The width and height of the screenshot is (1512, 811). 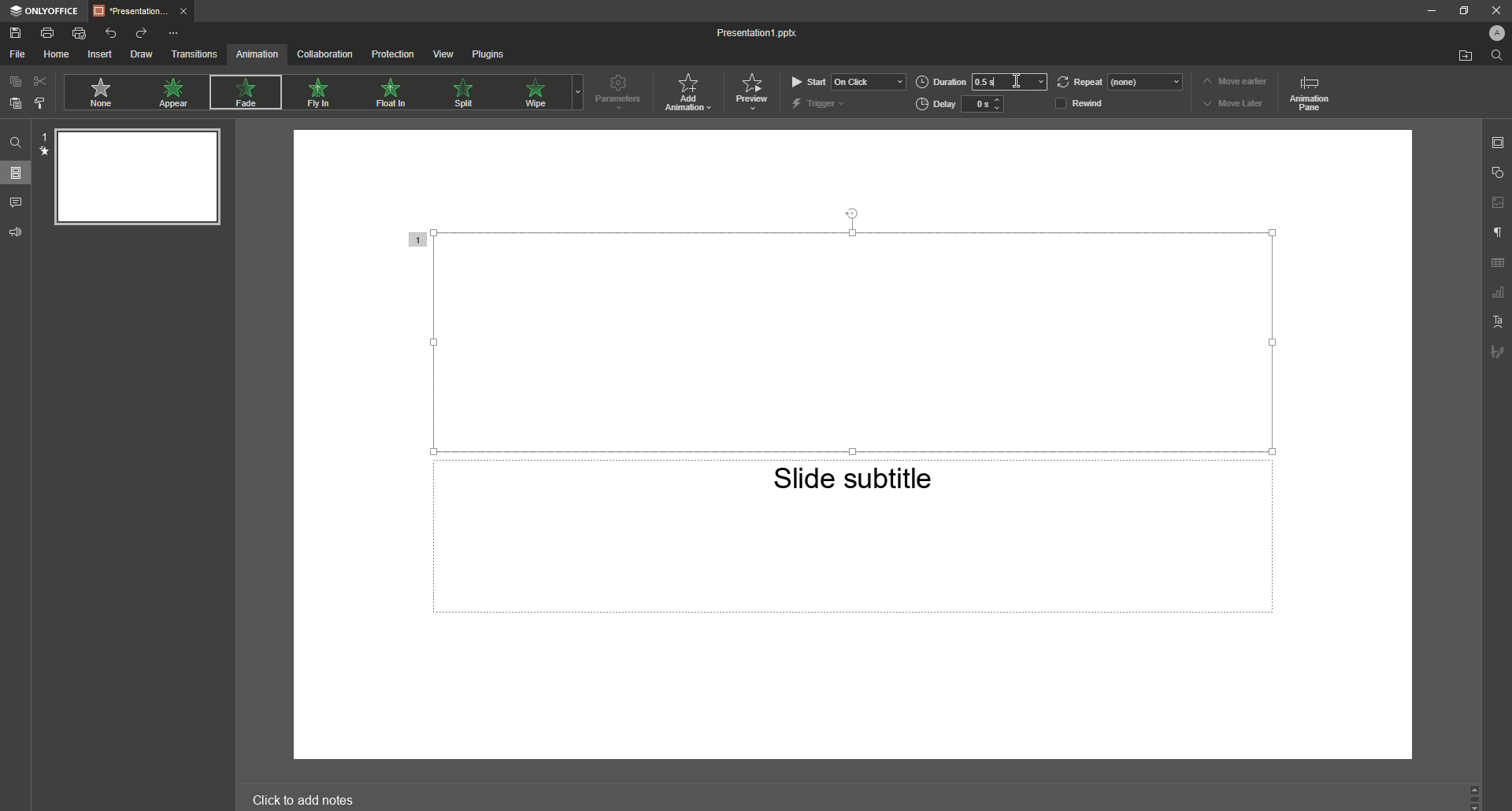 I want to click on Minimize, so click(x=1434, y=11).